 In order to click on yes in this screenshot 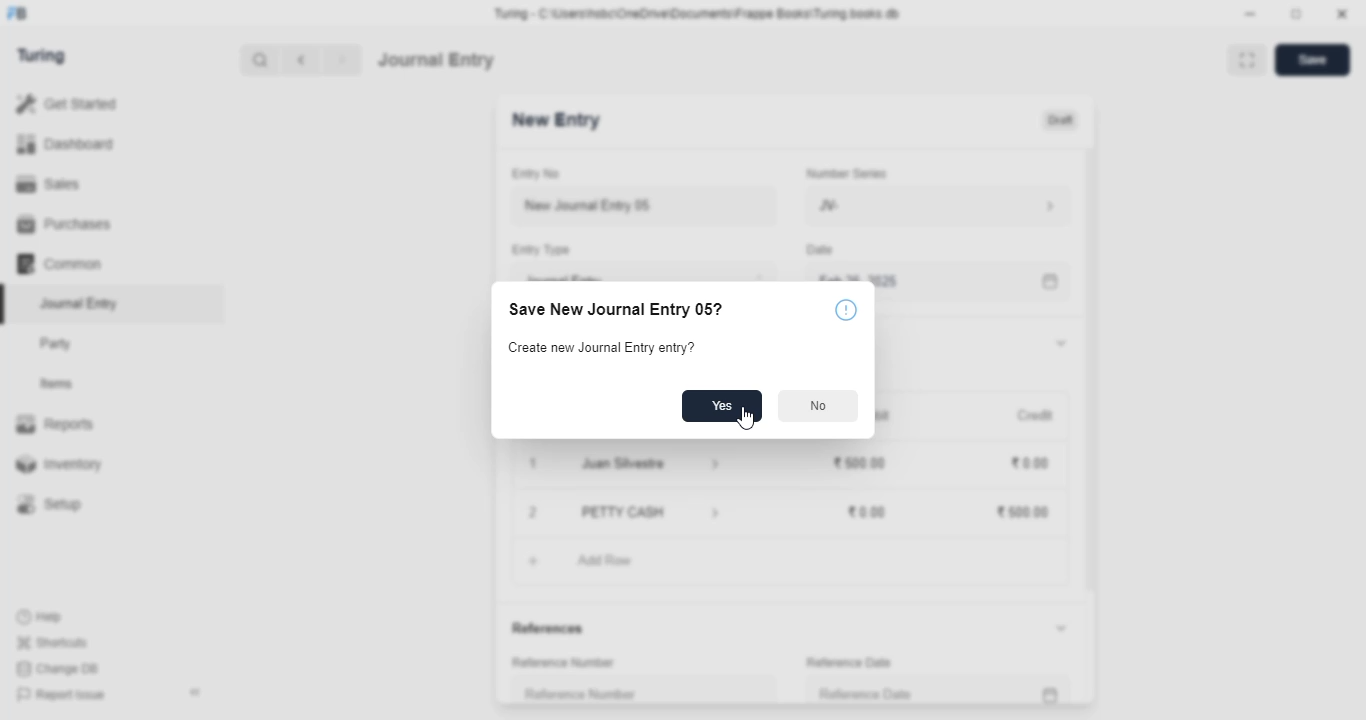, I will do `click(723, 406)`.